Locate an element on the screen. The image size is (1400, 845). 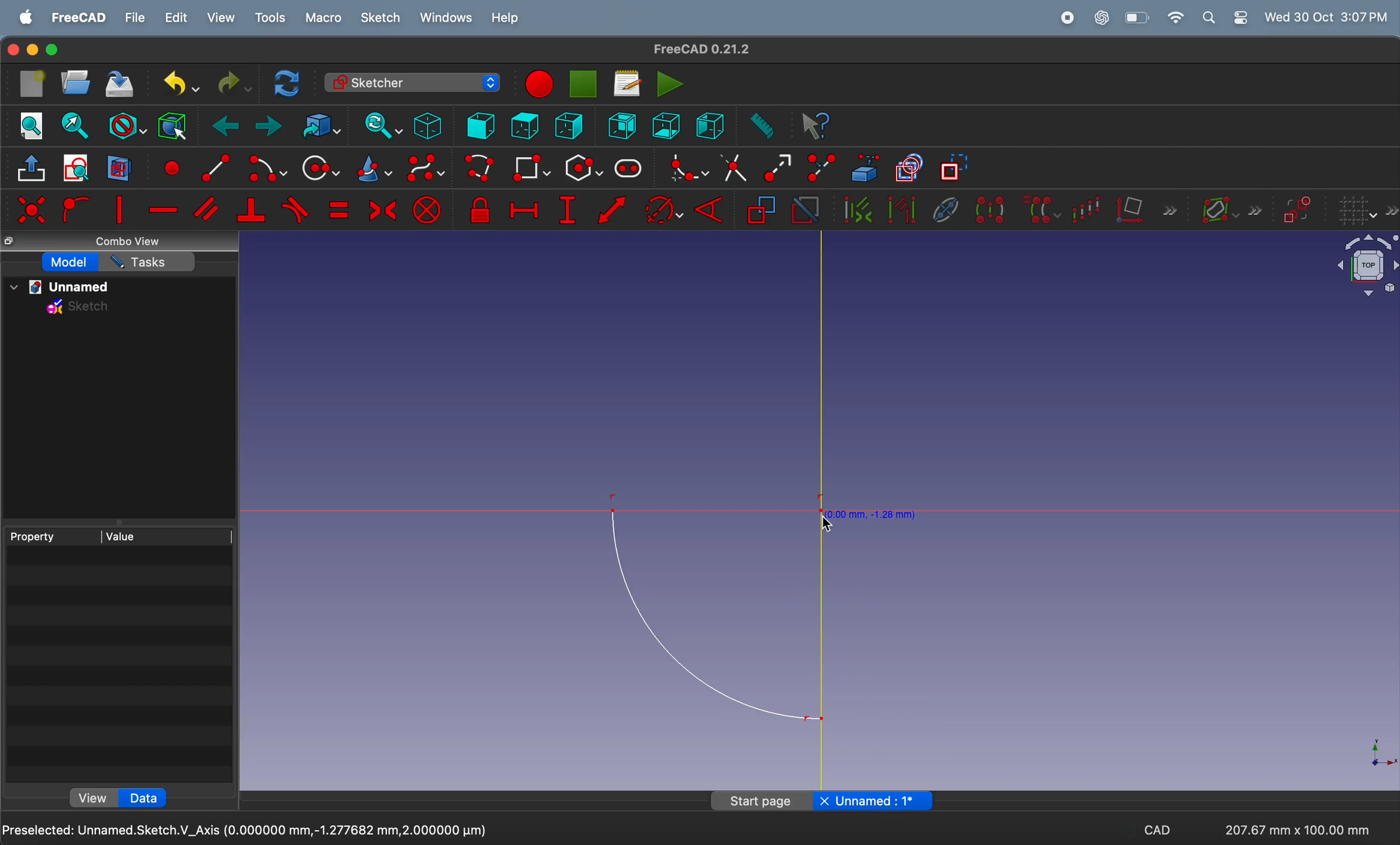
windows is located at coordinates (447, 18).